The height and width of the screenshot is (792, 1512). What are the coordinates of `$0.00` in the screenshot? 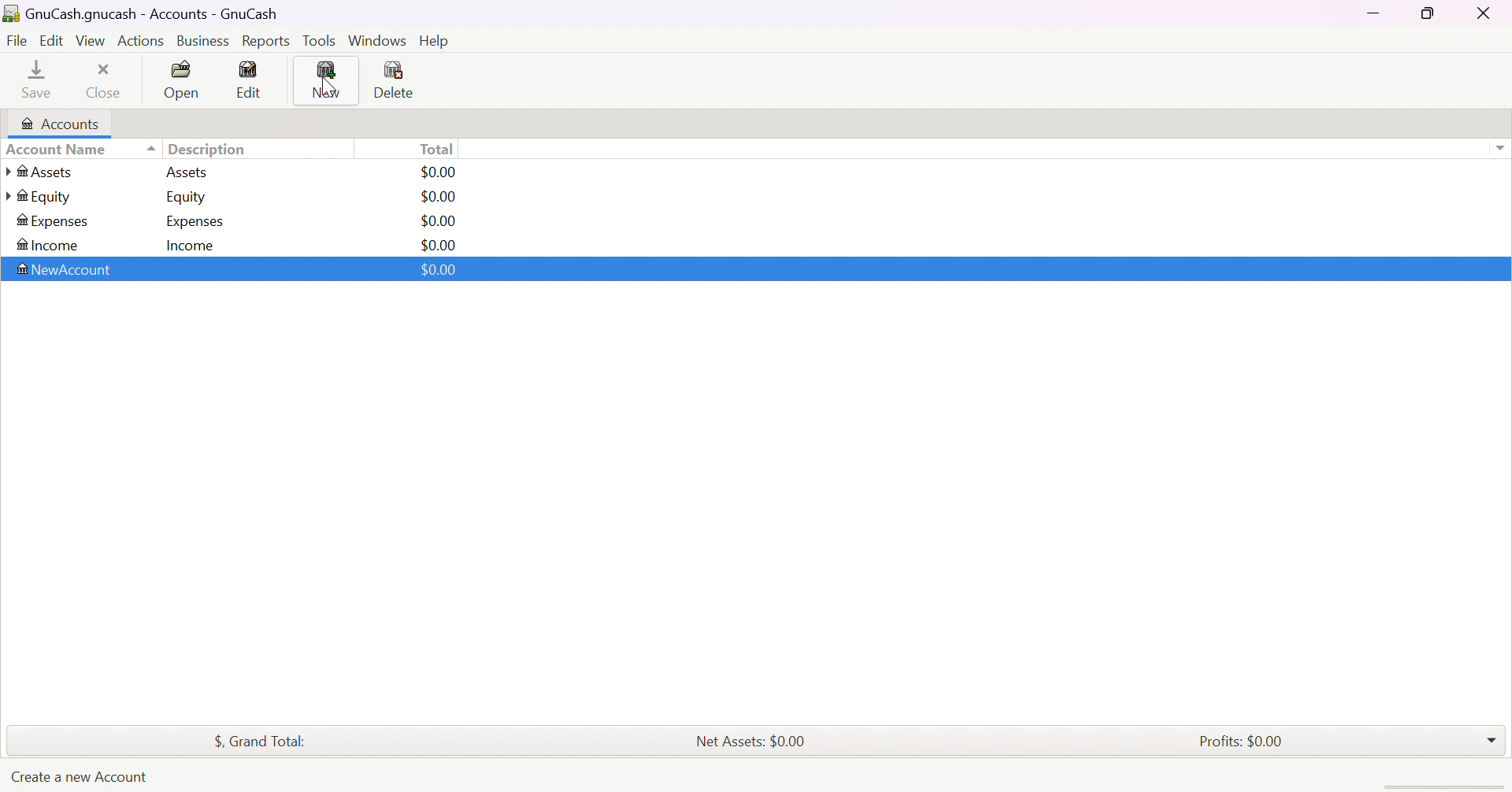 It's located at (439, 270).